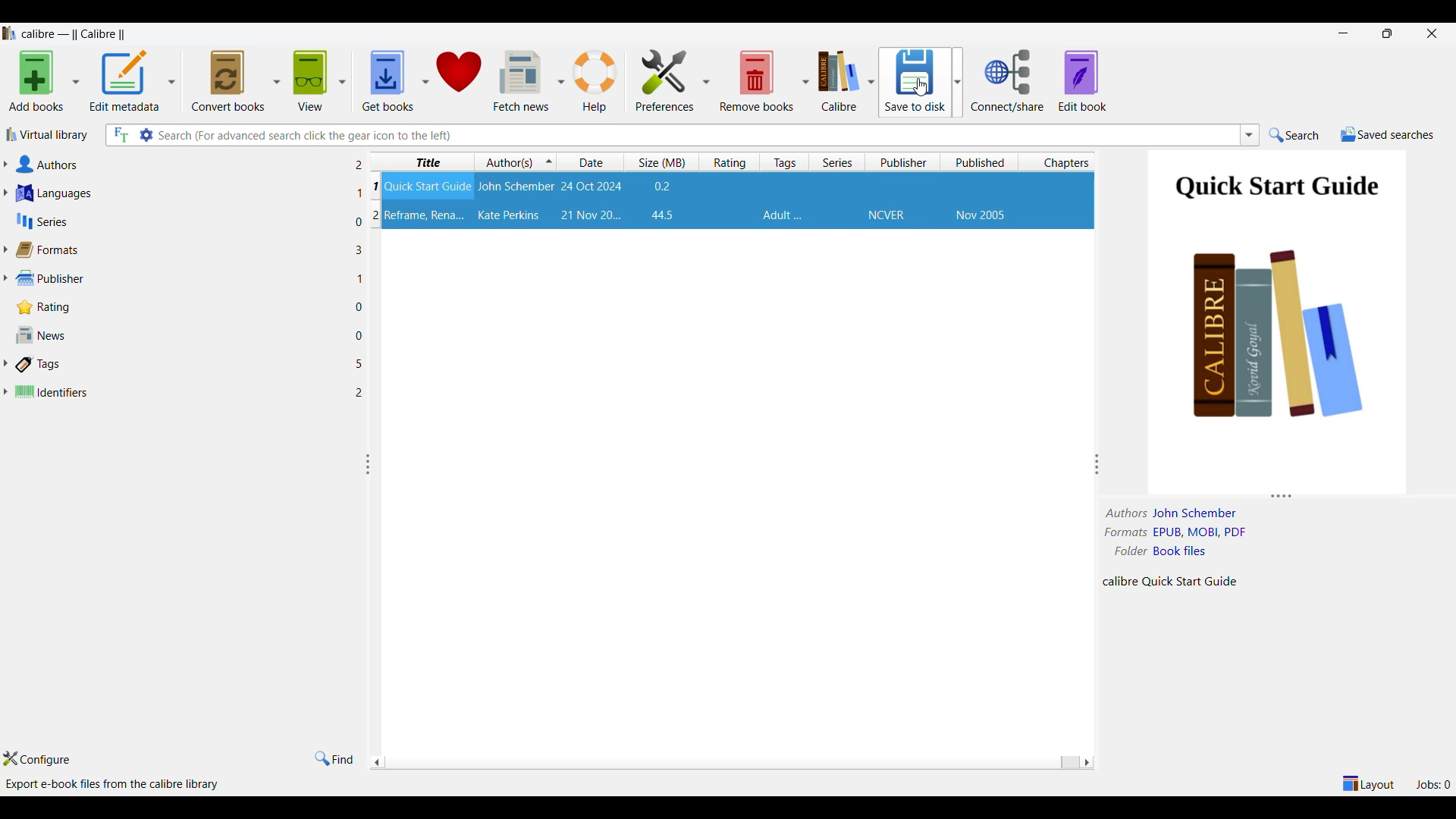 The height and width of the screenshot is (819, 1456). I want to click on 2, so click(372, 215).